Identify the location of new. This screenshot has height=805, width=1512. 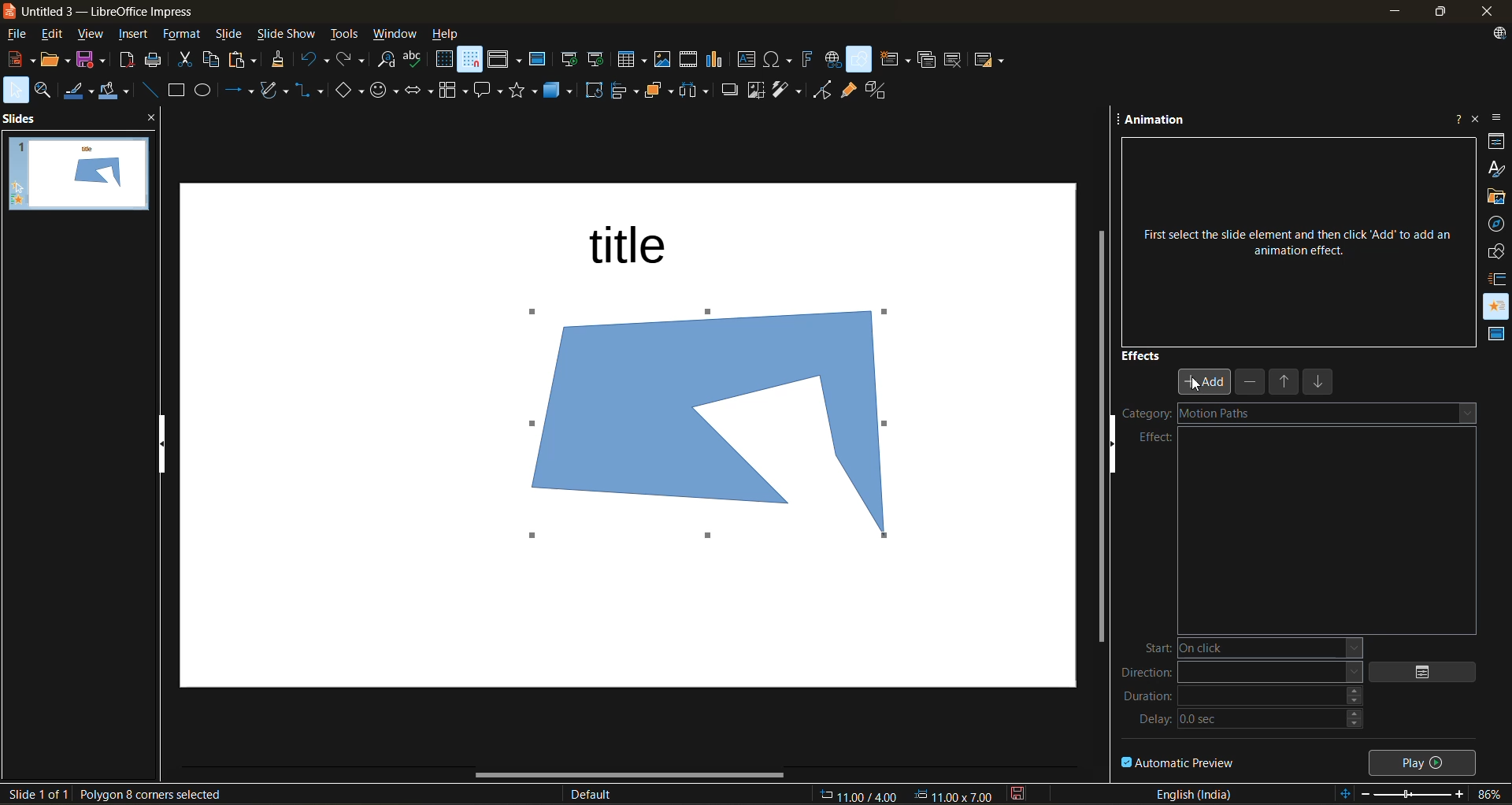
(19, 59).